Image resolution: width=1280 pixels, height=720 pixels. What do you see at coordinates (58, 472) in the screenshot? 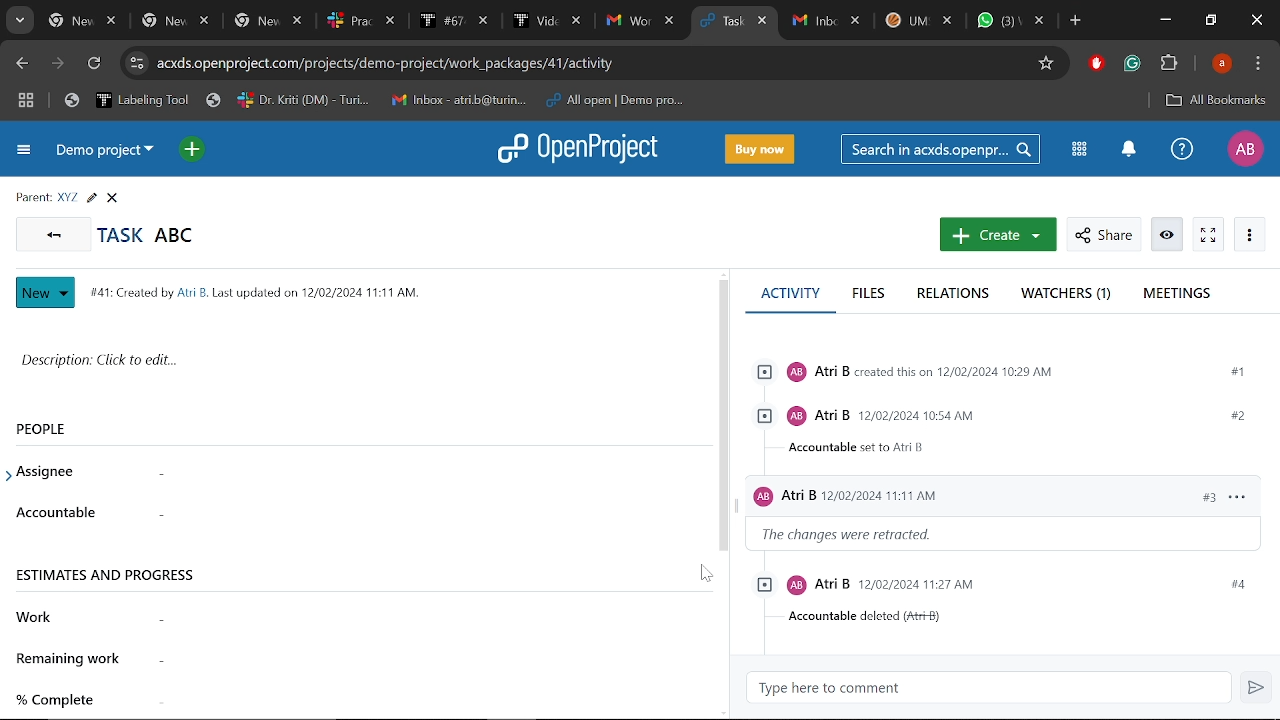
I see `Assignee` at bounding box center [58, 472].